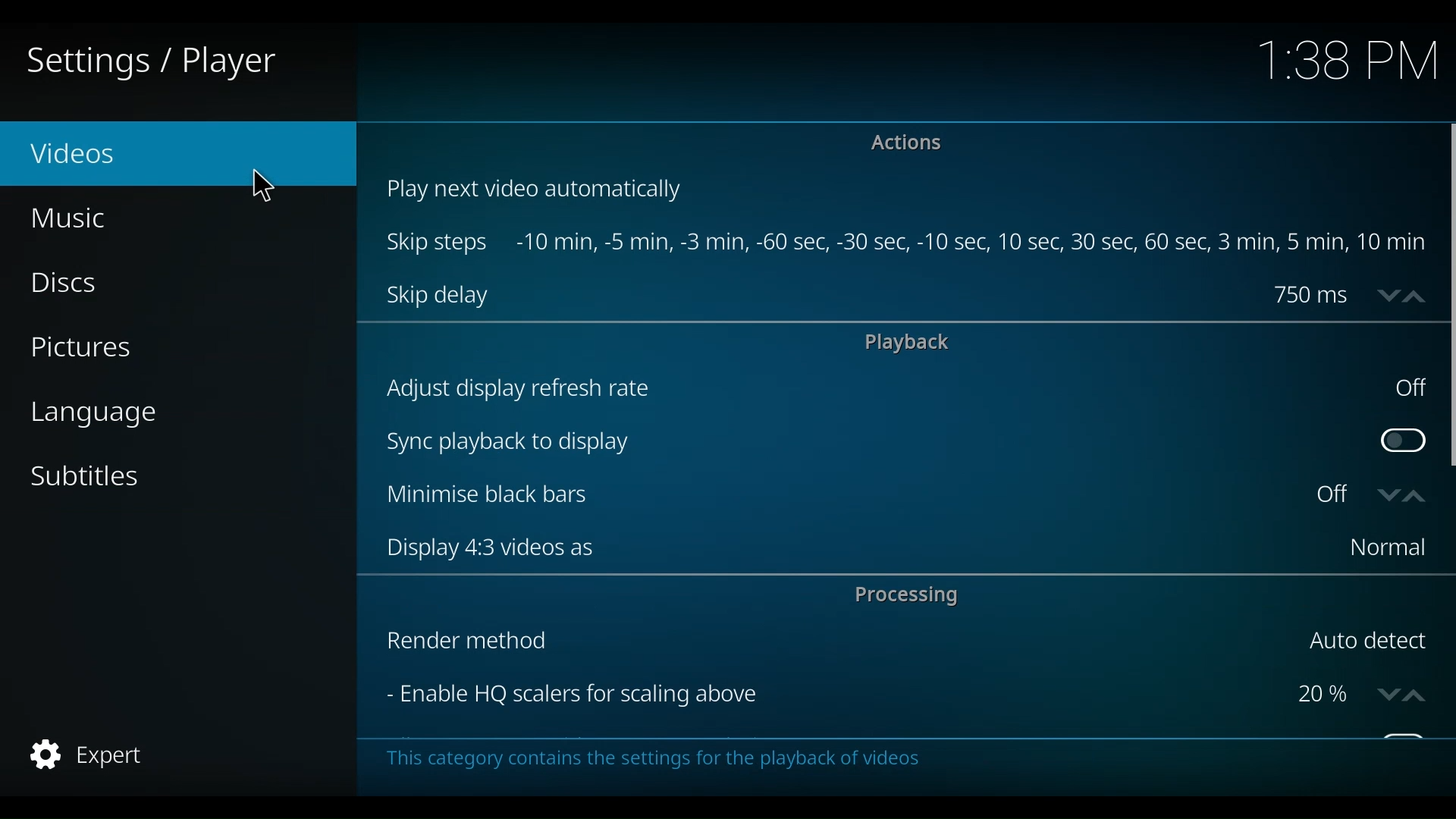 The image size is (1456, 819). Describe the element at coordinates (1386, 494) in the screenshot. I see `down` at that location.